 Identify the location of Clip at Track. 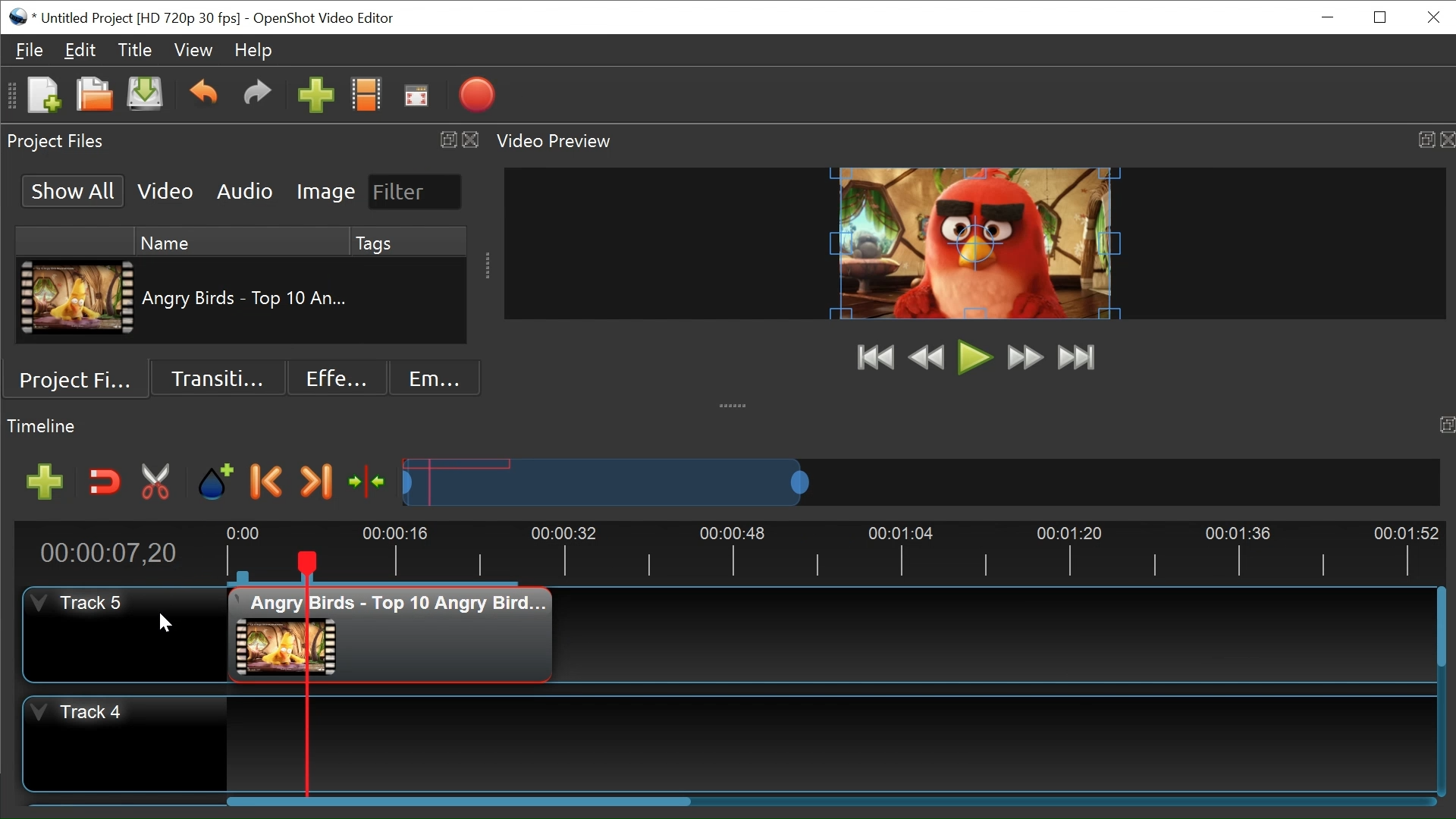
(391, 633).